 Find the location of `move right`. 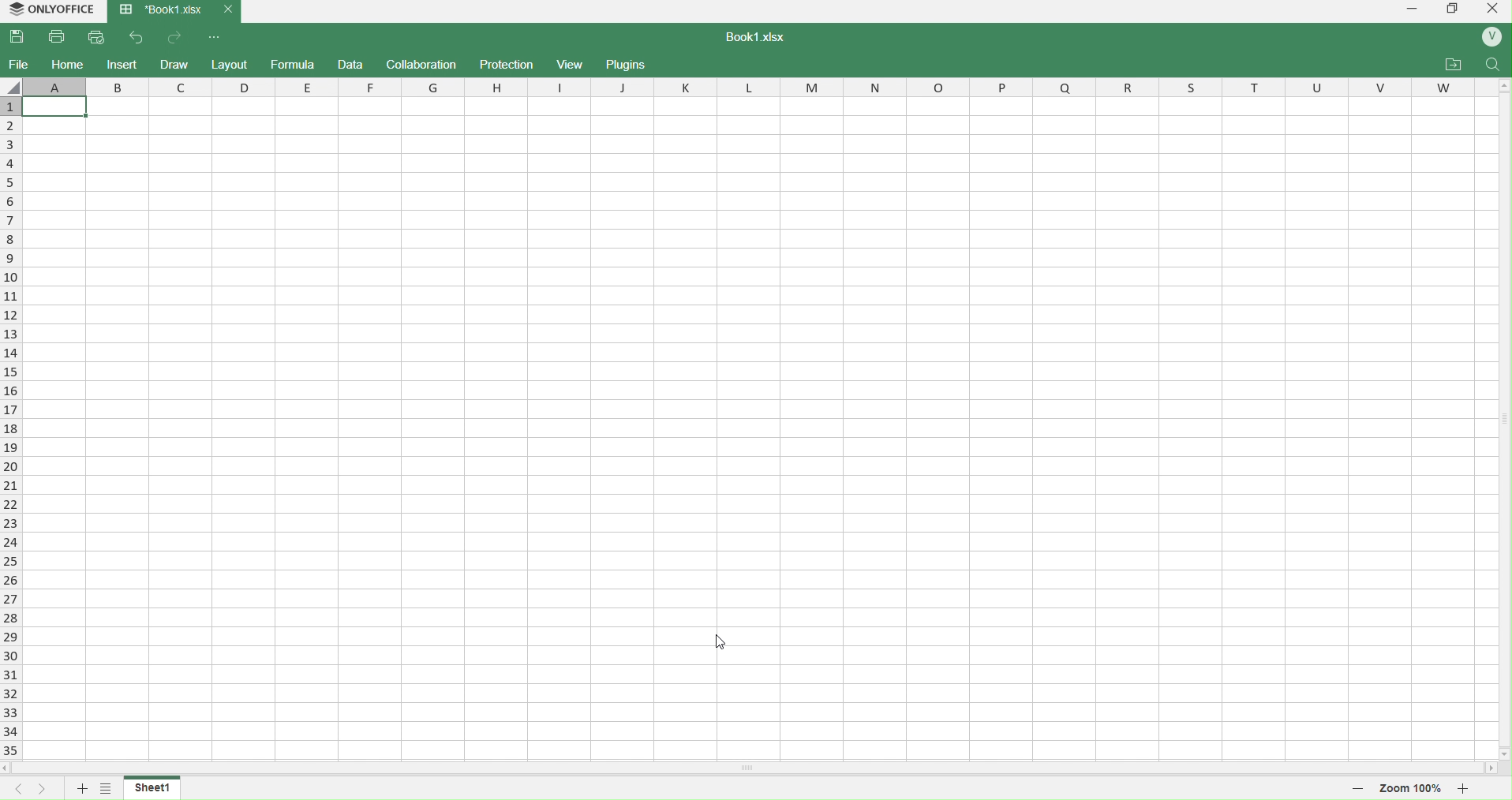

move right is located at coordinates (1491, 769).